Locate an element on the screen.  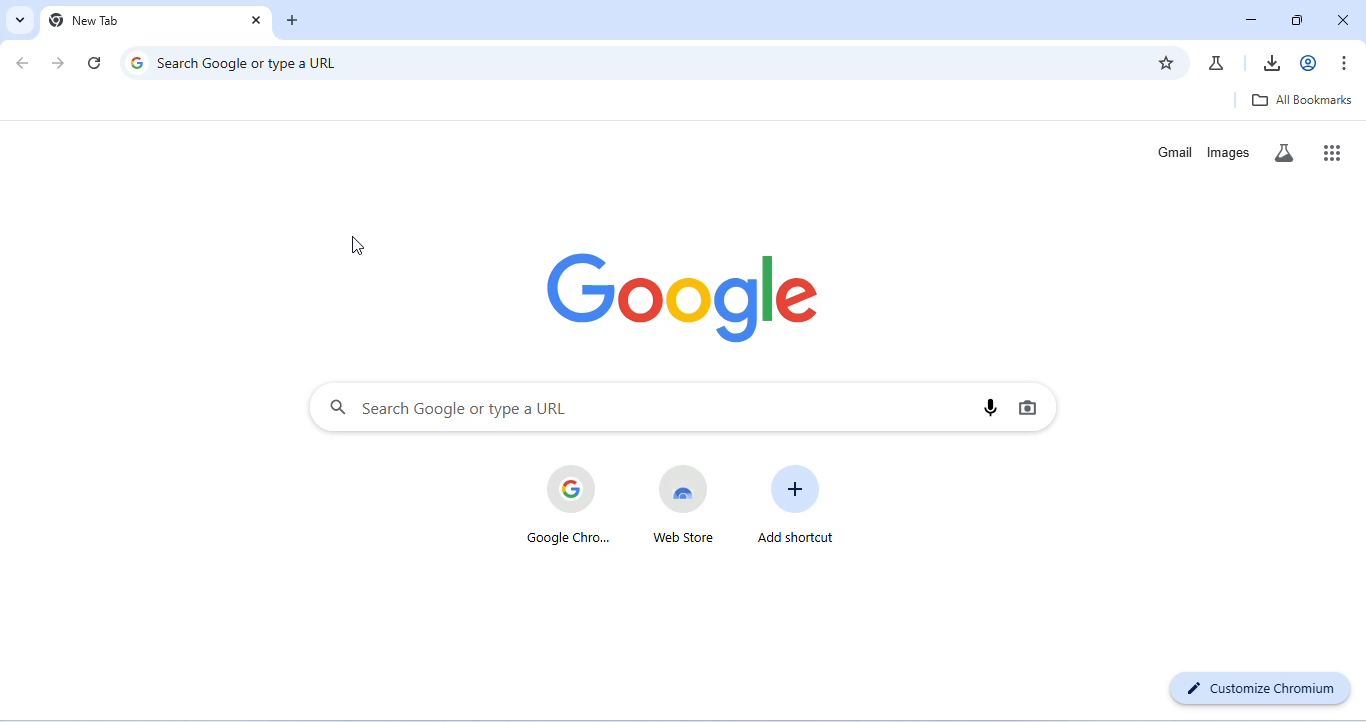
chrome labs is located at coordinates (1218, 63).